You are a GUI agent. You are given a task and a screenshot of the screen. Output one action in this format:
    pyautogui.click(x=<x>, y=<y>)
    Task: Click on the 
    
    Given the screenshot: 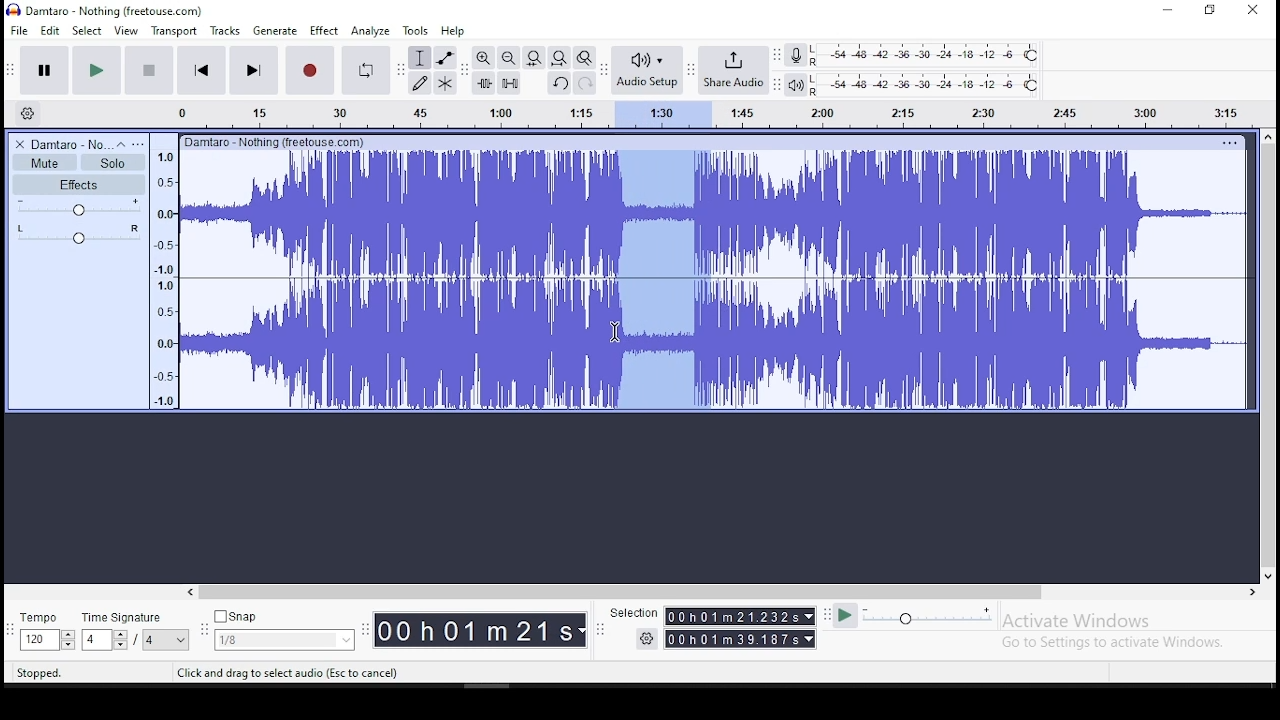 What is the action you would take?
    pyautogui.click(x=399, y=68)
    